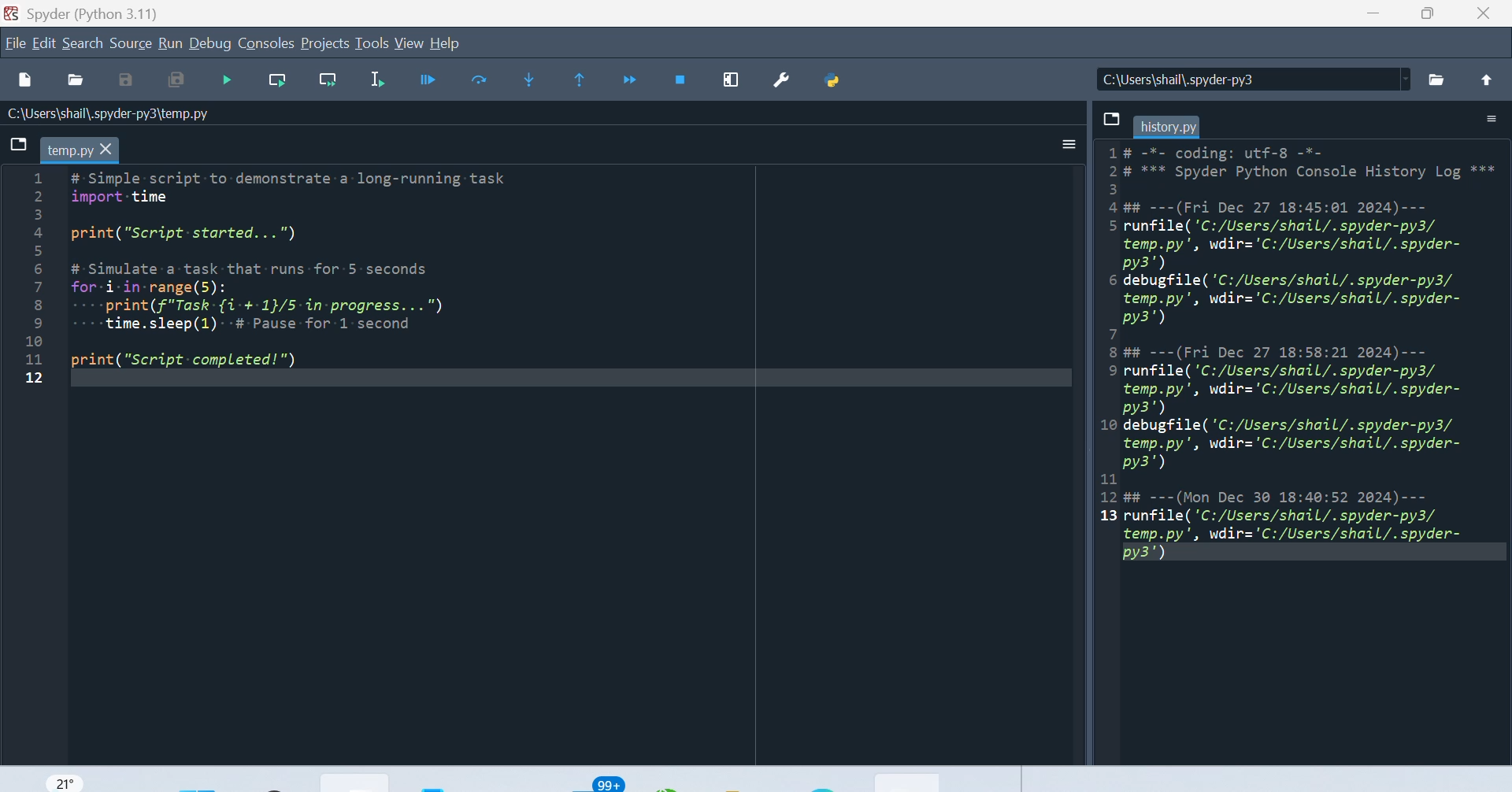 The image size is (1512, 792). Describe the element at coordinates (409, 44) in the screenshot. I see `View` at that location.